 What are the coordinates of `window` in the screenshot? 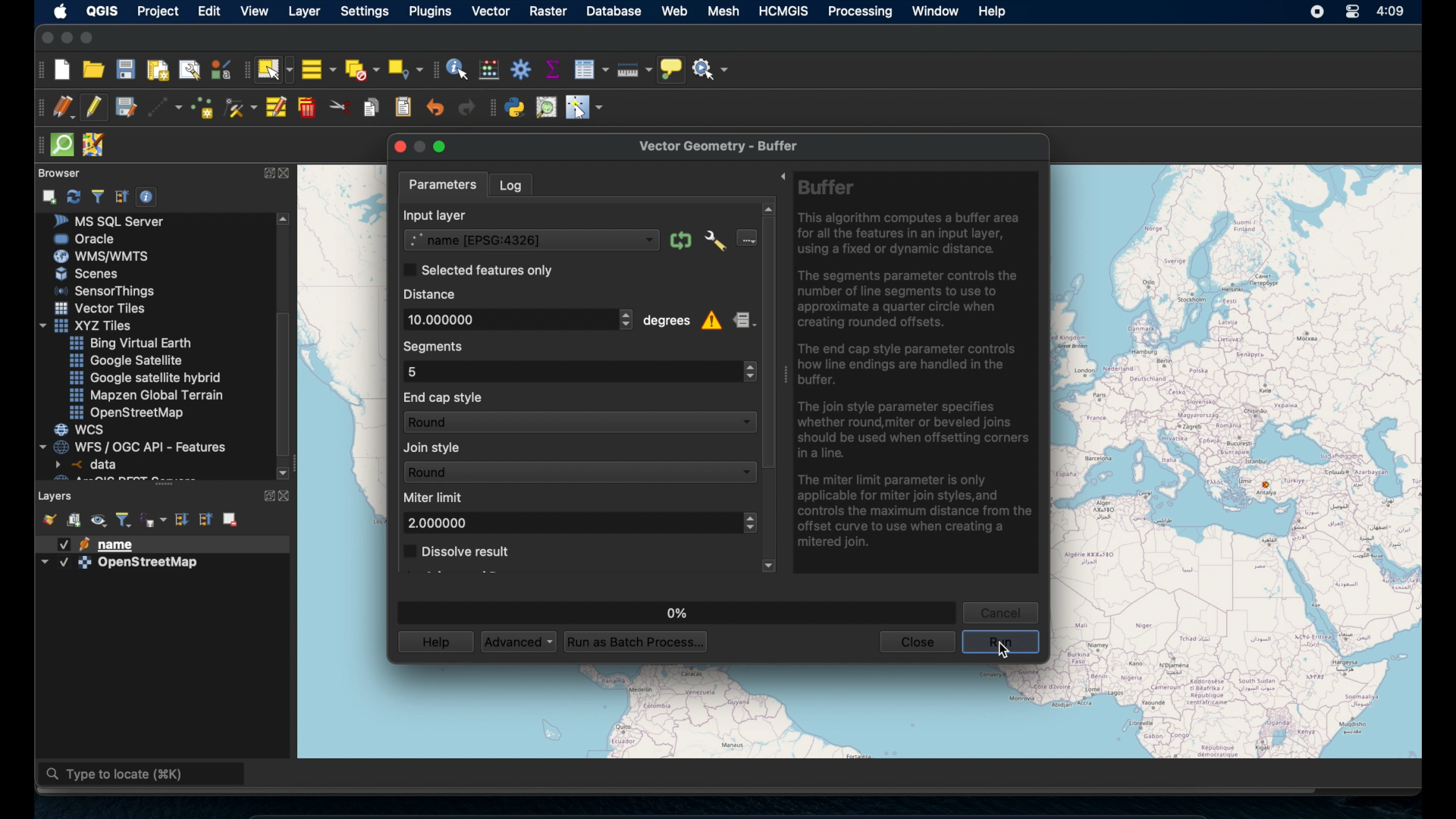 It's located at (934, 11).